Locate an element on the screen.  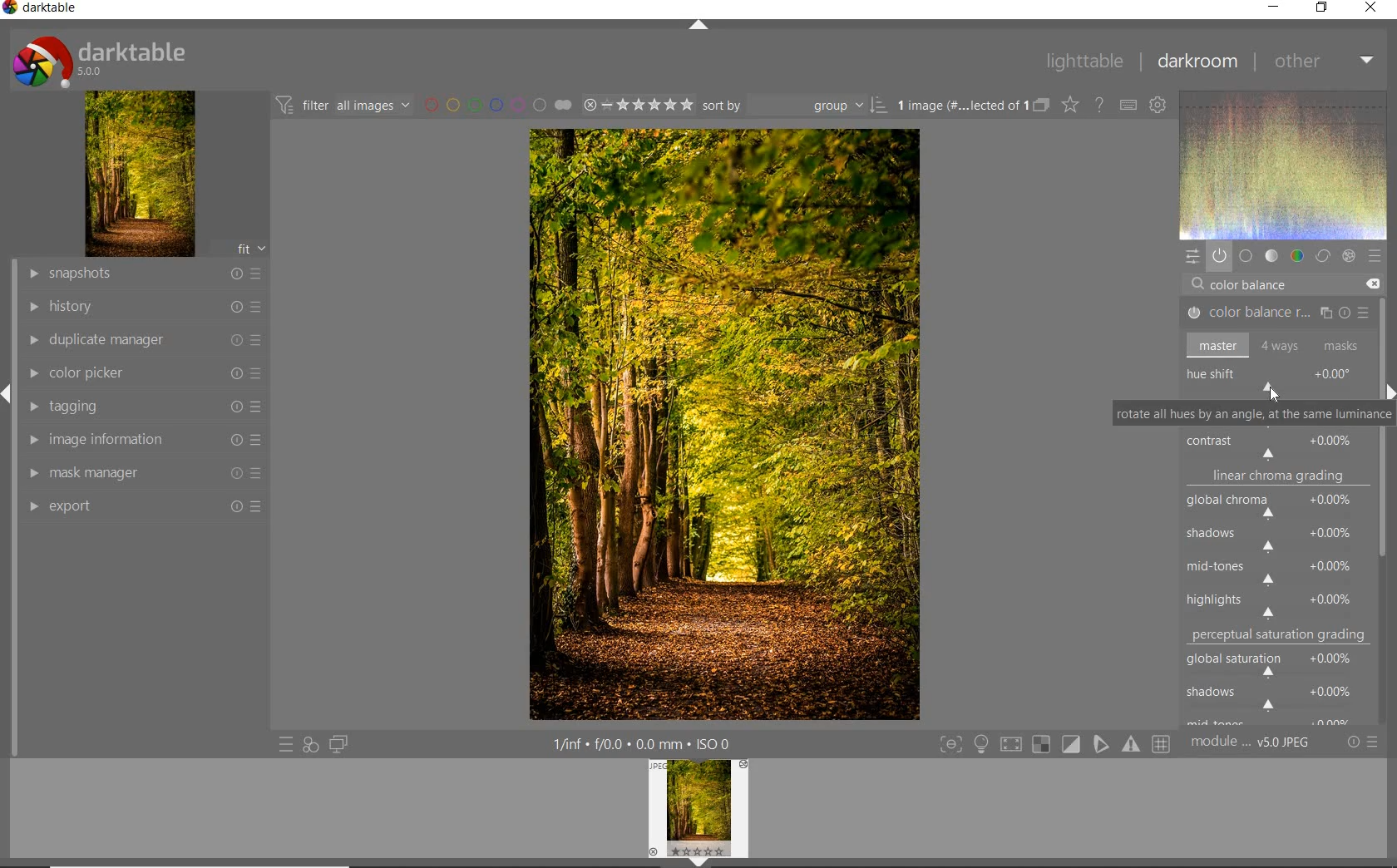
perceptual saturation grading is located at coordinates (1281, 635).